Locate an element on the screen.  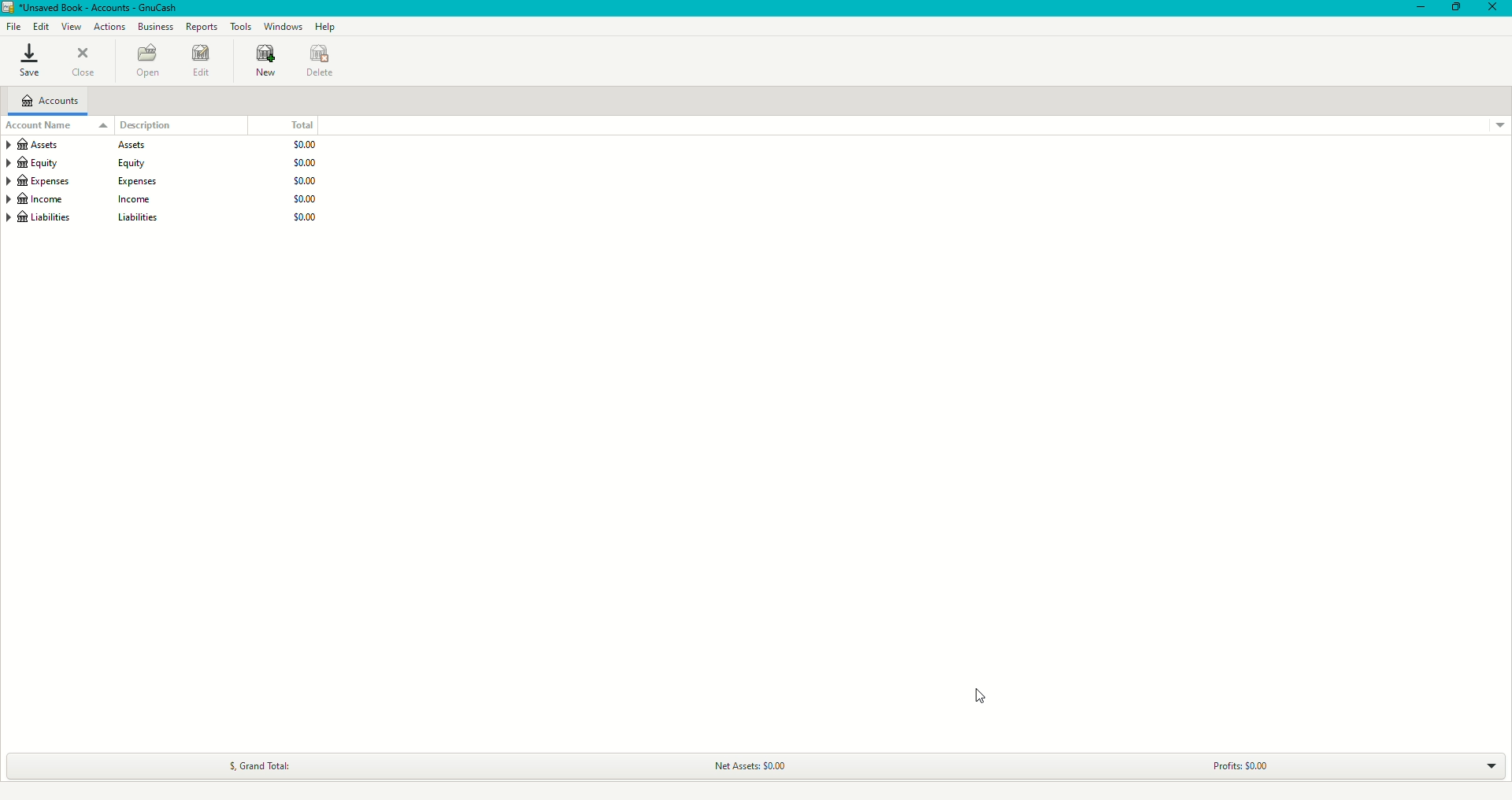
Open is located at coordinates (146, 61).